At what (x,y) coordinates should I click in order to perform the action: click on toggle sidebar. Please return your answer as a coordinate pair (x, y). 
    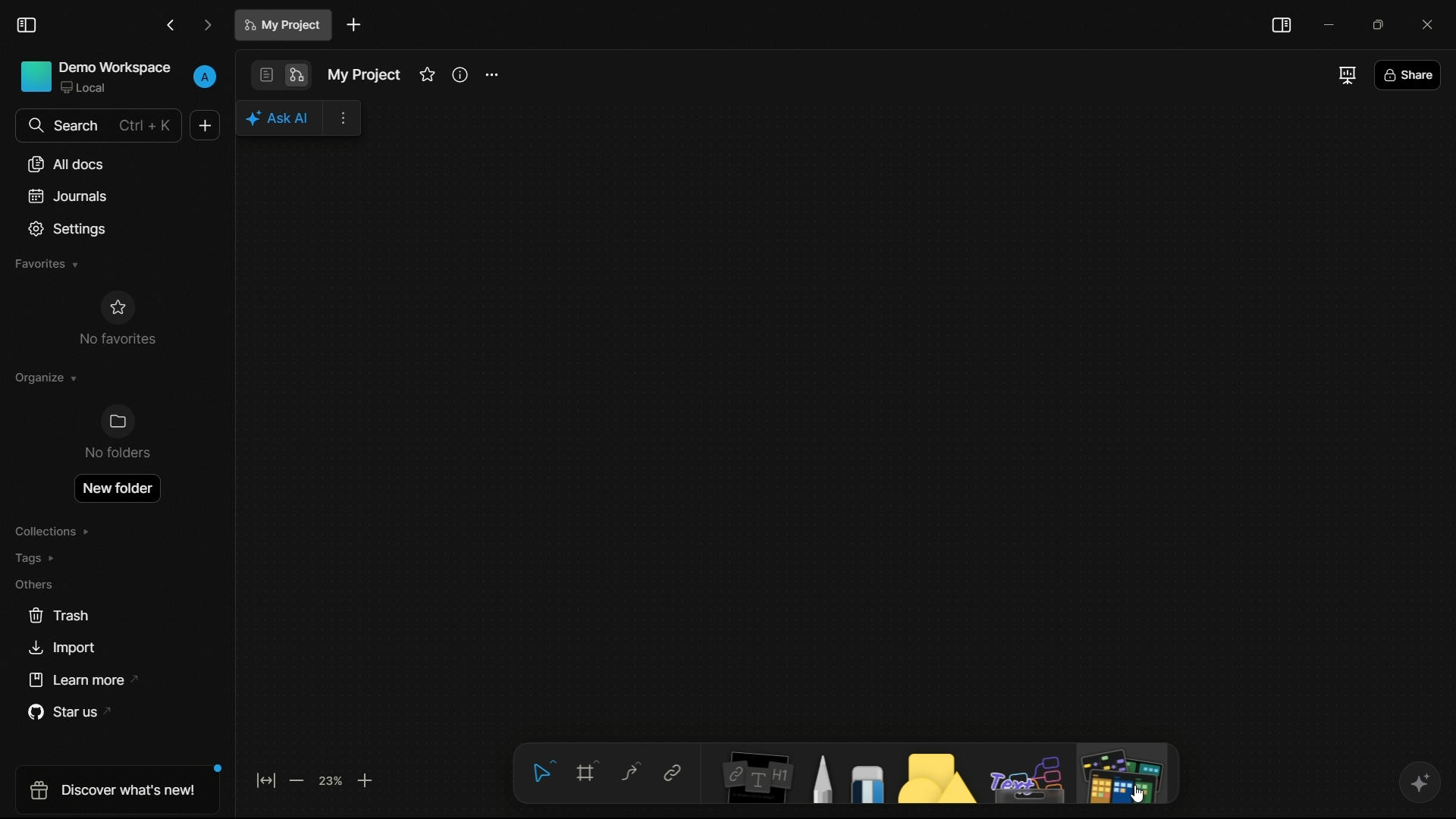
    Looking at the image, I should click on (27, 26).